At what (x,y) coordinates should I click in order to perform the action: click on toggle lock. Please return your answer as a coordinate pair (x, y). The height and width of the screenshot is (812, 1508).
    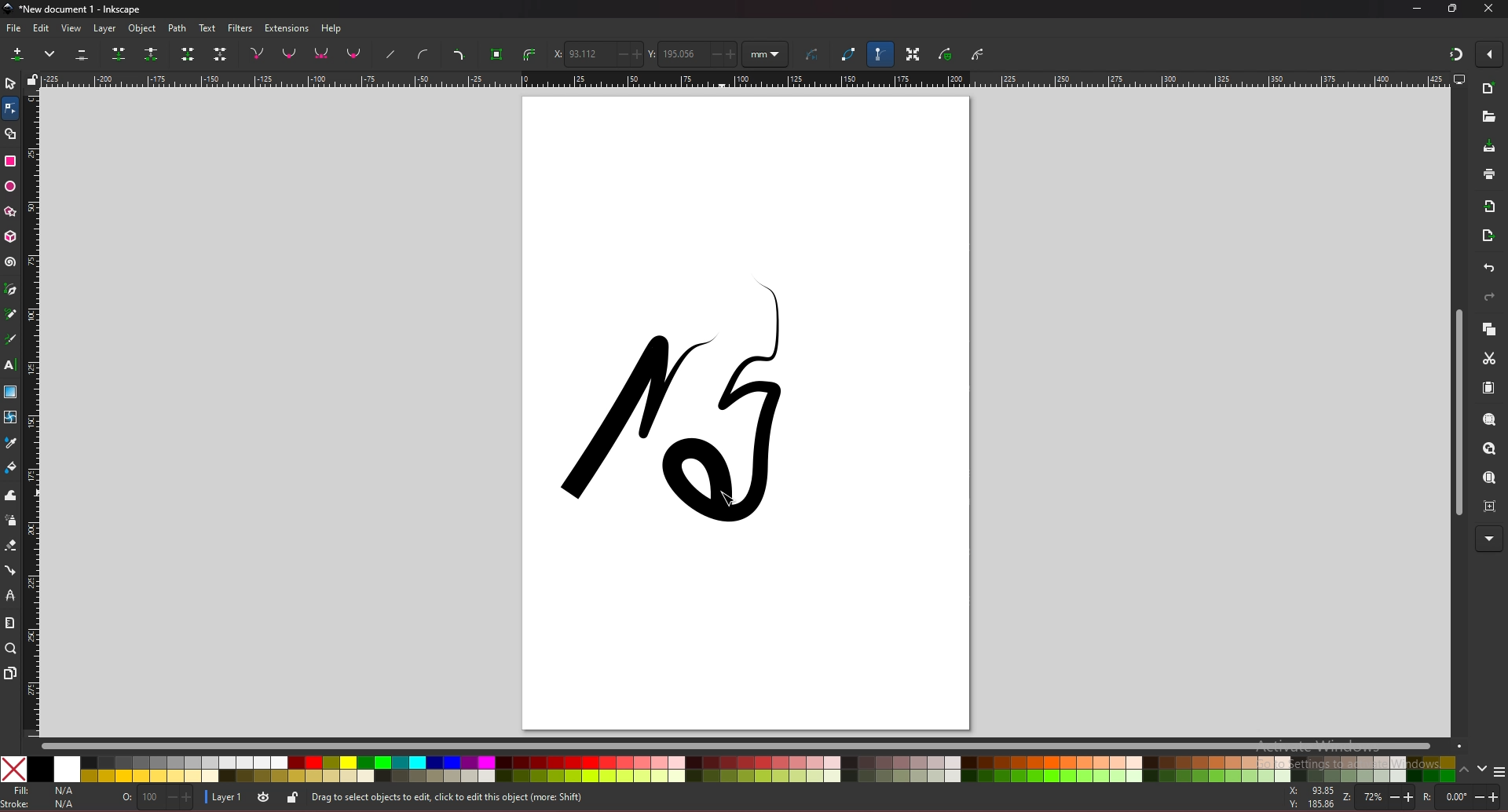
    Looking at the image, I should click on (294, 797).